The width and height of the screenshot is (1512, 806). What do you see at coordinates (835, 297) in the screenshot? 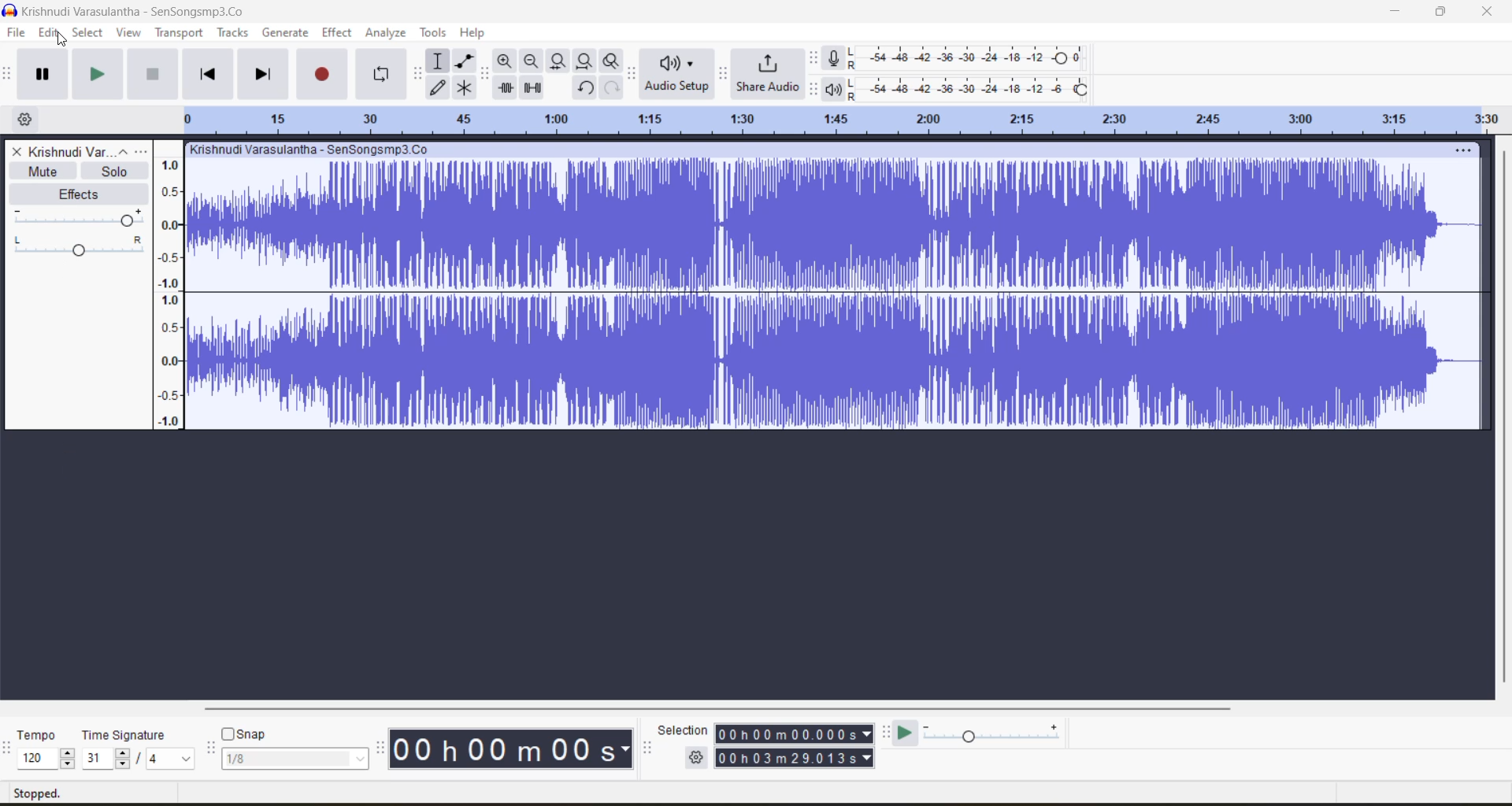
I see `current track` at bounding box center [835, 297].